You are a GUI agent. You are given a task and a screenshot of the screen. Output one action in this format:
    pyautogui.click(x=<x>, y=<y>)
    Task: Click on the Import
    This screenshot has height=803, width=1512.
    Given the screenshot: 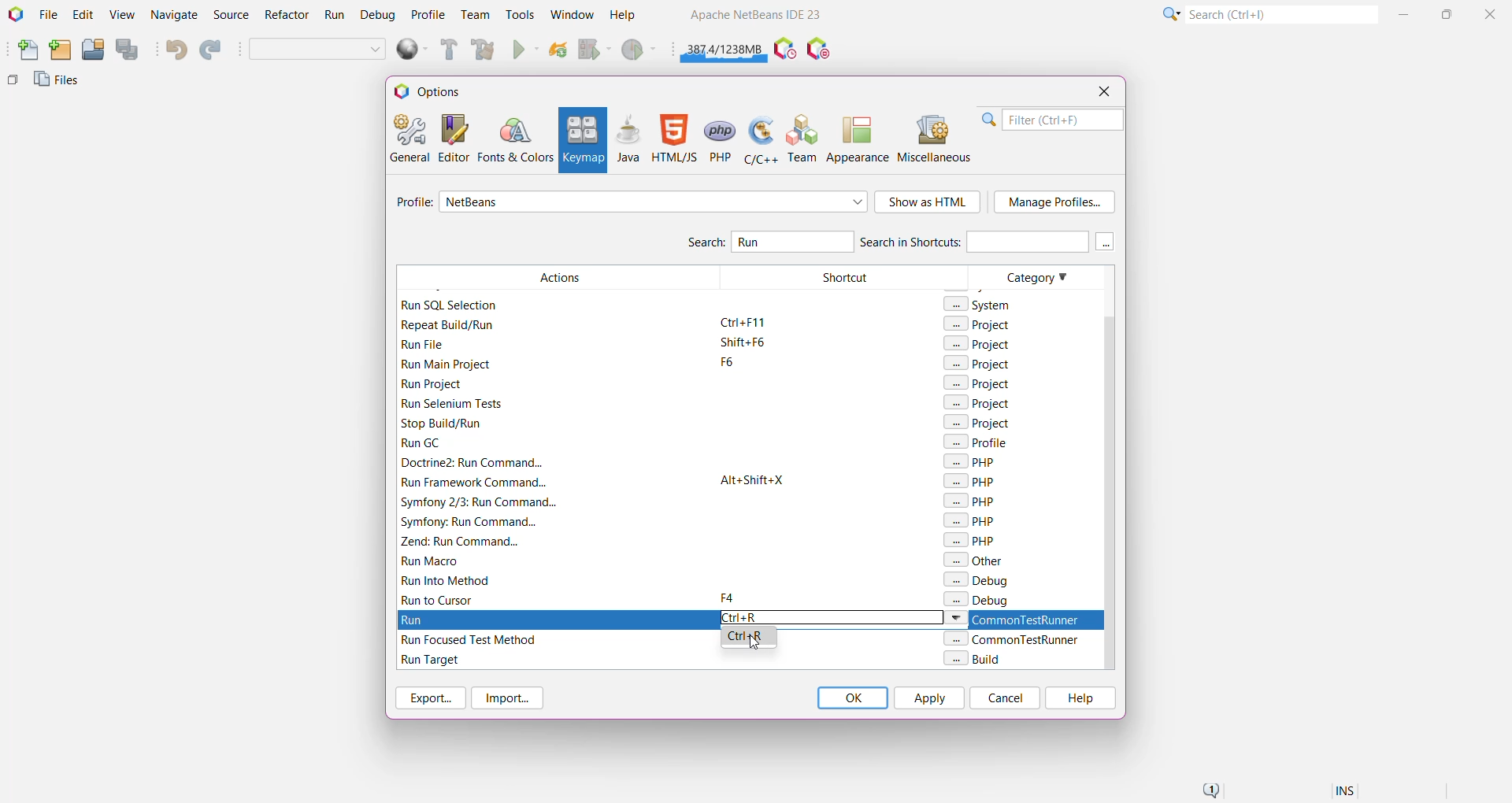 What is the action you would take?
    pyautogui.click(x=510, y=698)
    